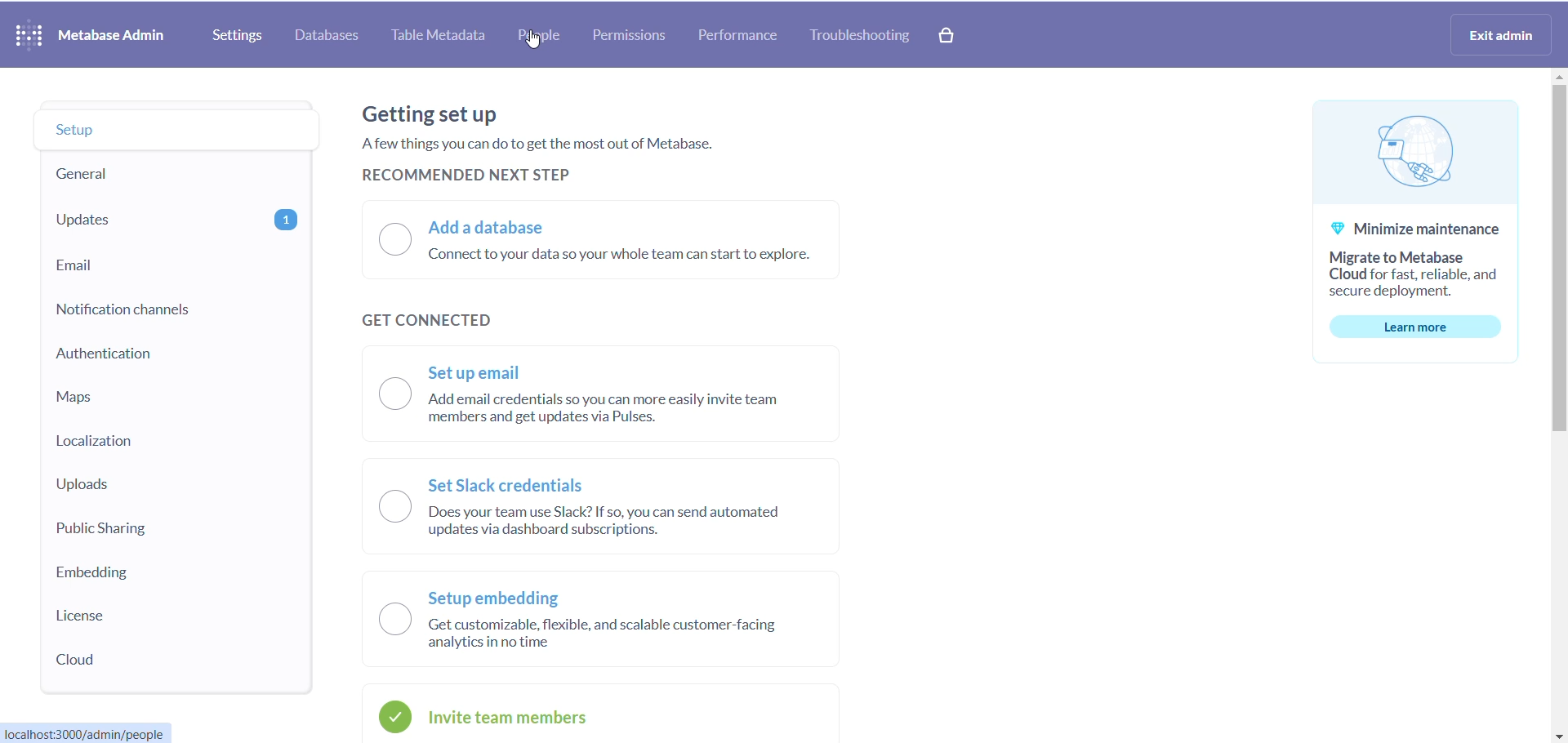 Image resolution: width=1568 pixels, height=743 pixels. Describe the element at coordinates (737, 35) in the screenshot. I see `performance` at that location.